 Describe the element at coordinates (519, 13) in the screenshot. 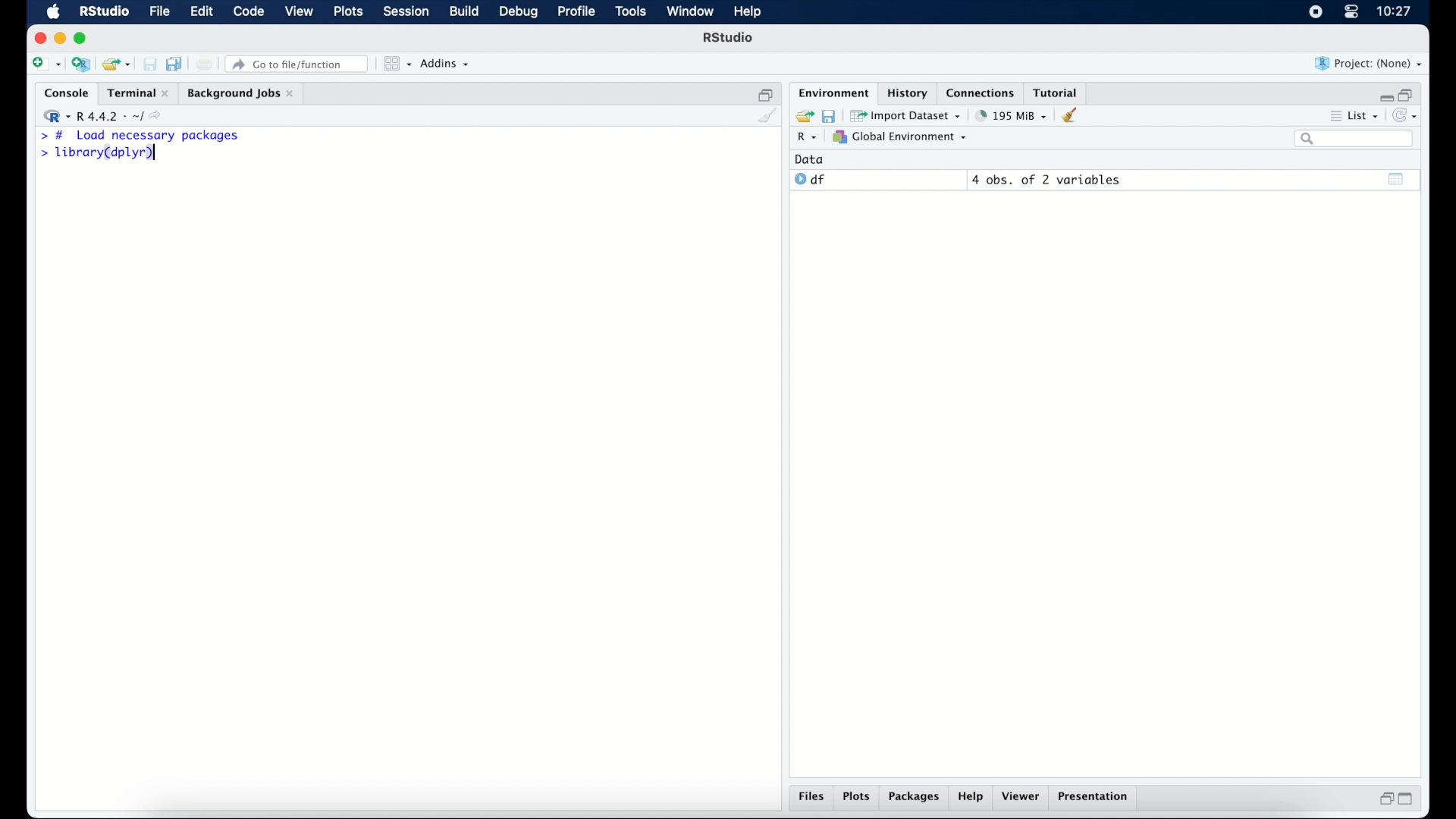

I see `debug` at that location.